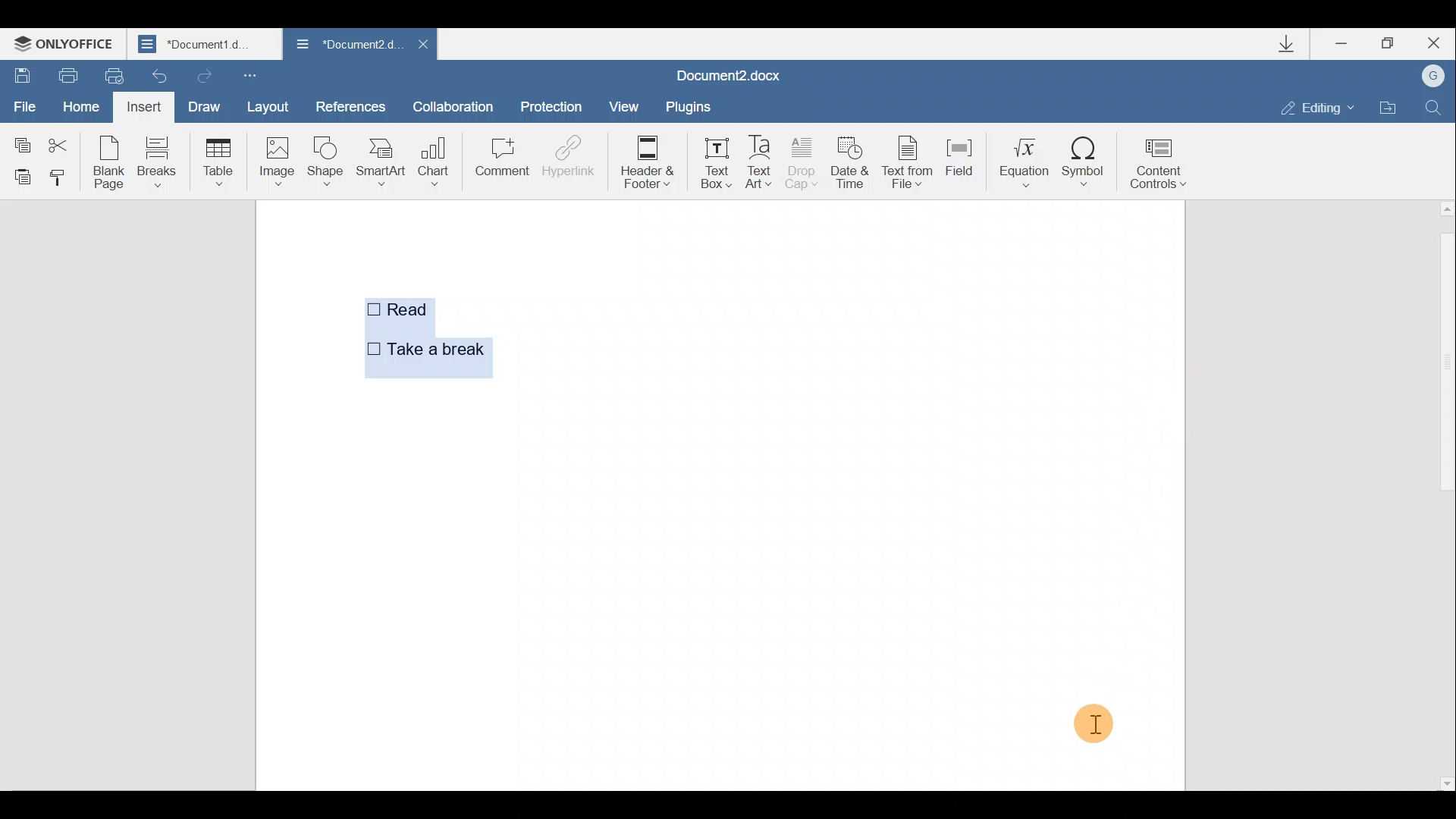 The image size is (1456, 819). I want to click on G, so click(1435, 75).